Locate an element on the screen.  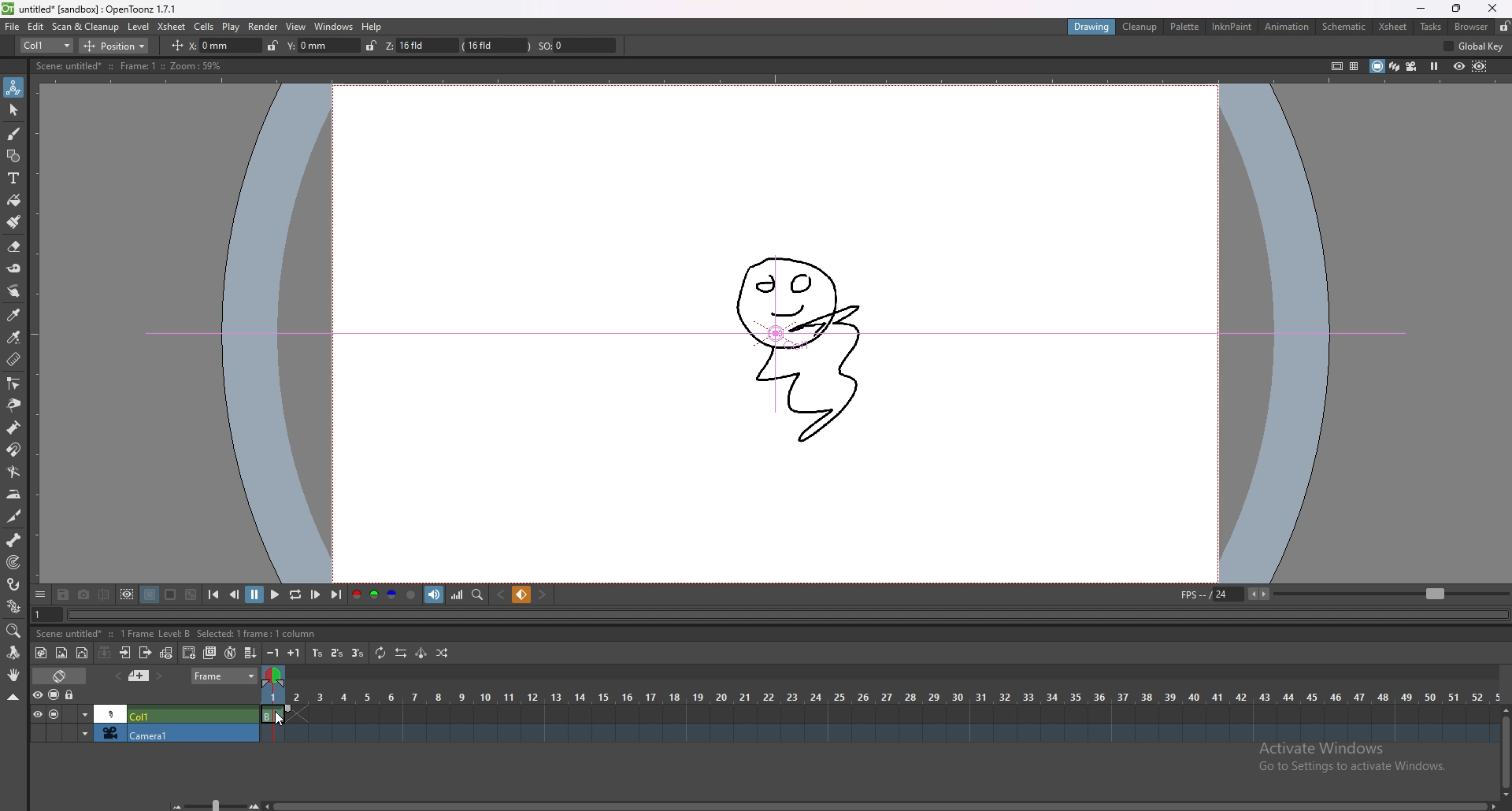
lock is located at coordinates (71, 695).